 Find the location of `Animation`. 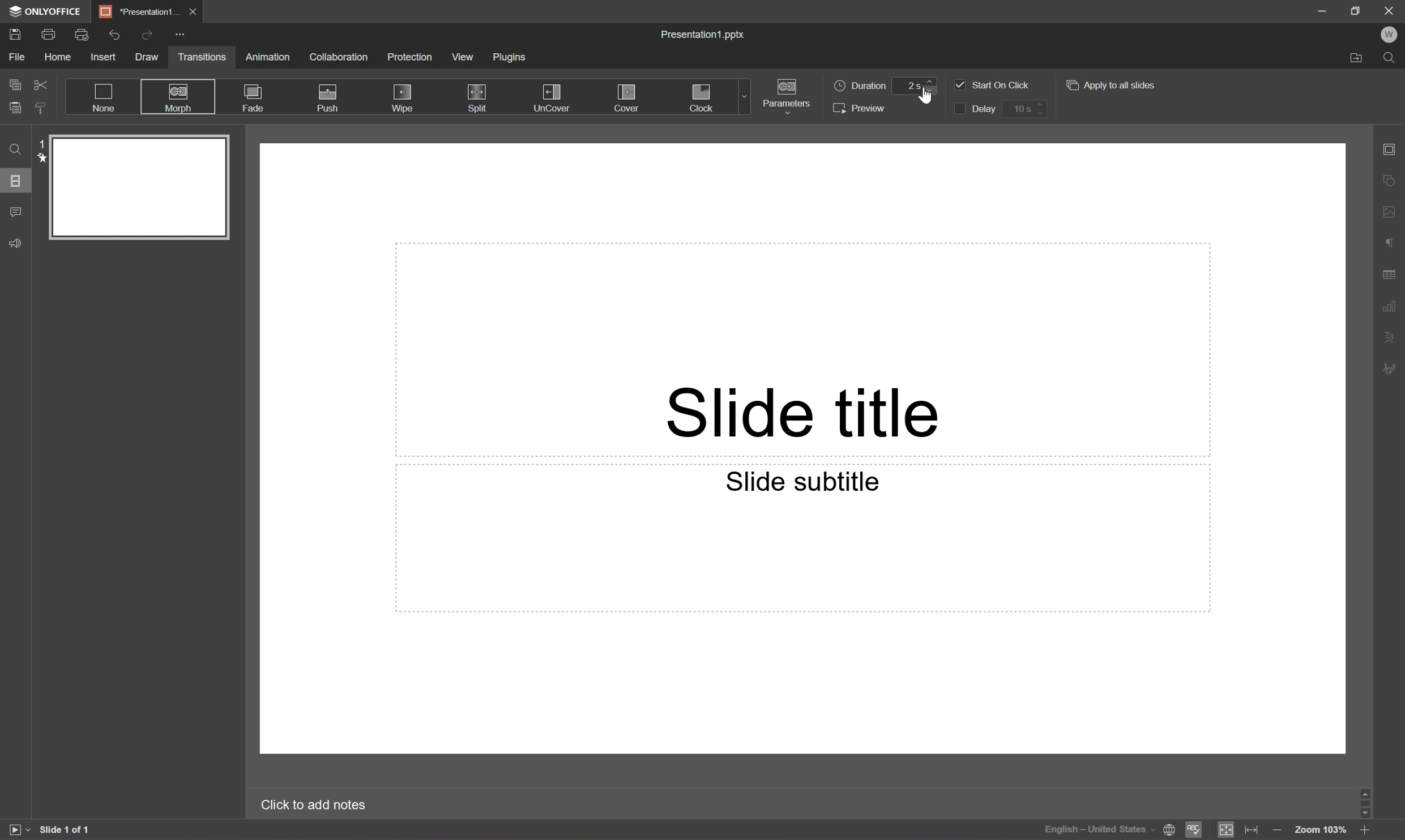

Animation is located at coordinates (268, 57).